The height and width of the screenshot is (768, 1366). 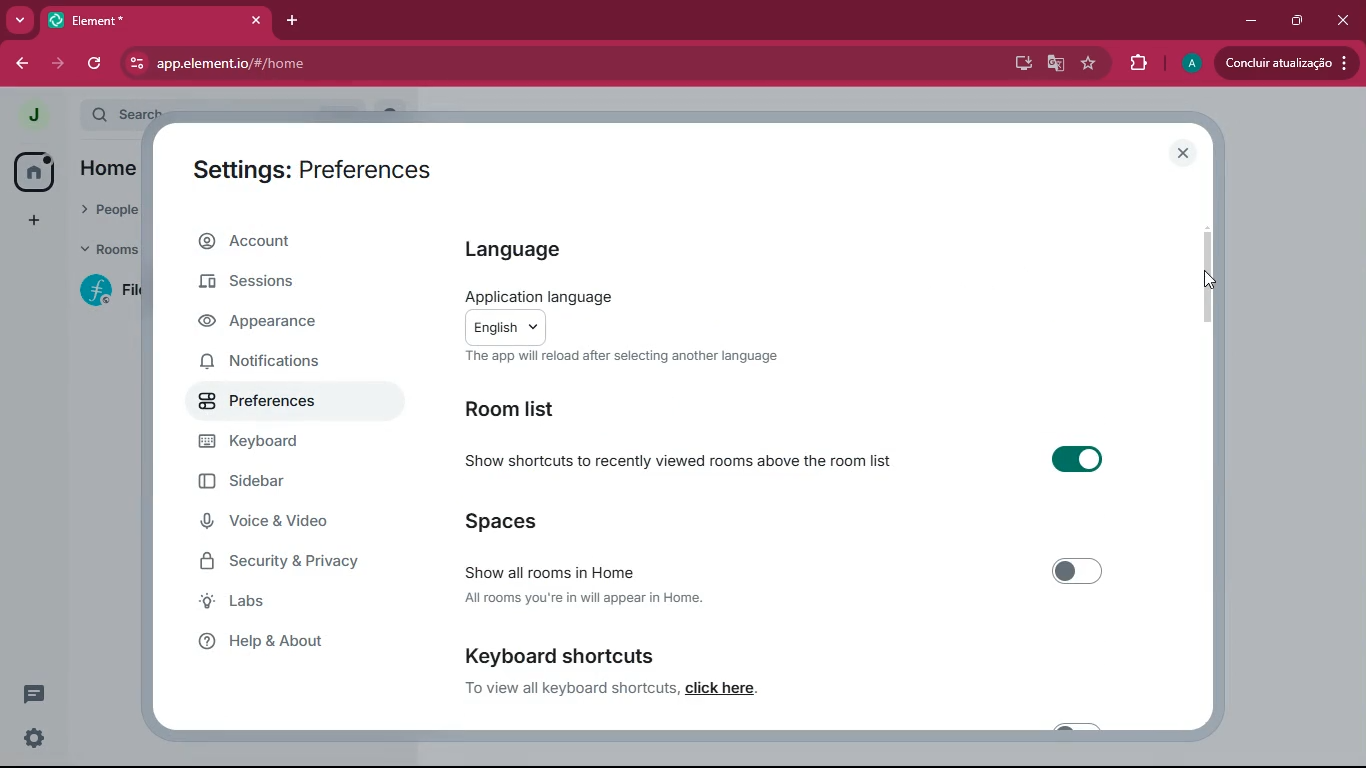 What do you see at coordinates (522, 519) in the screenshot?
I see `spaces` at bounding box center [522, 519].